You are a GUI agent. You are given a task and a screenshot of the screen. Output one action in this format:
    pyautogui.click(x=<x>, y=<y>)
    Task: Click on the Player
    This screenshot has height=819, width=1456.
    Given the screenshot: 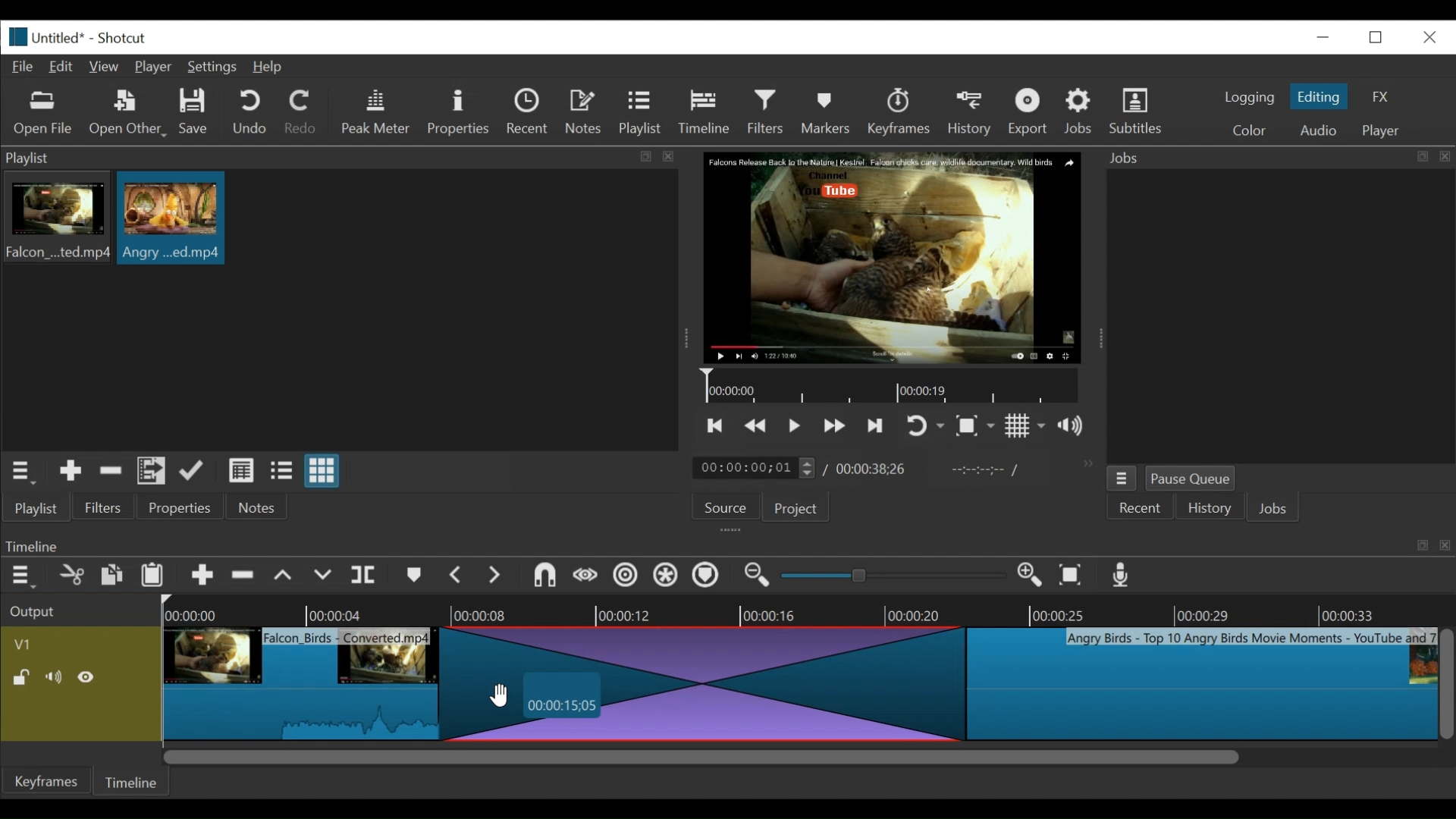 What is the action you would take?
    pyautogui.click(x=157, y=68)
    